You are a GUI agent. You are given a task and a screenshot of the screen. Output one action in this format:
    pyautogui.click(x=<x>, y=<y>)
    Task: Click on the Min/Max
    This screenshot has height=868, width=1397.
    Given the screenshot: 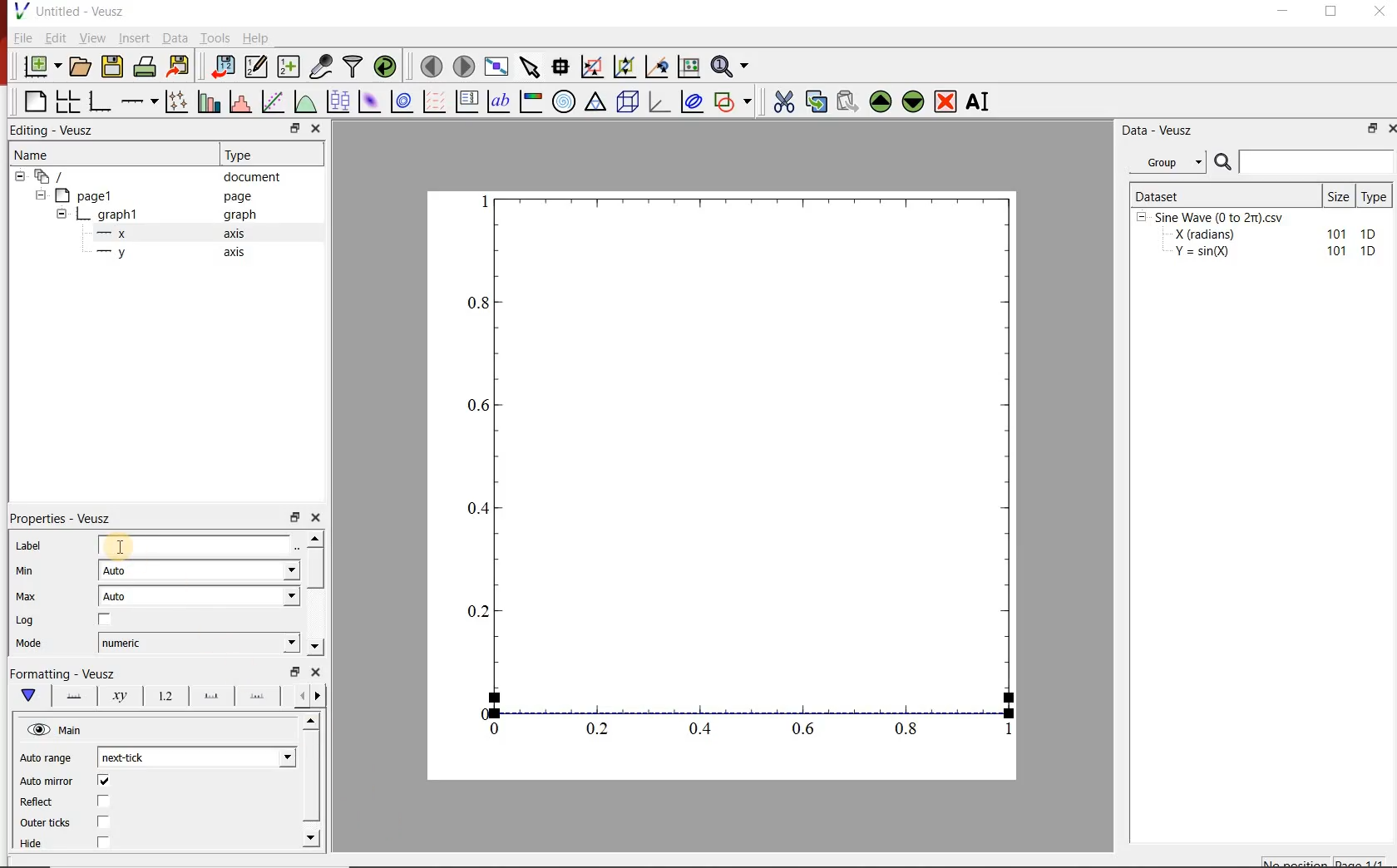 What is the action you would take?
    pyautogui.click(x=295, y=672)
    